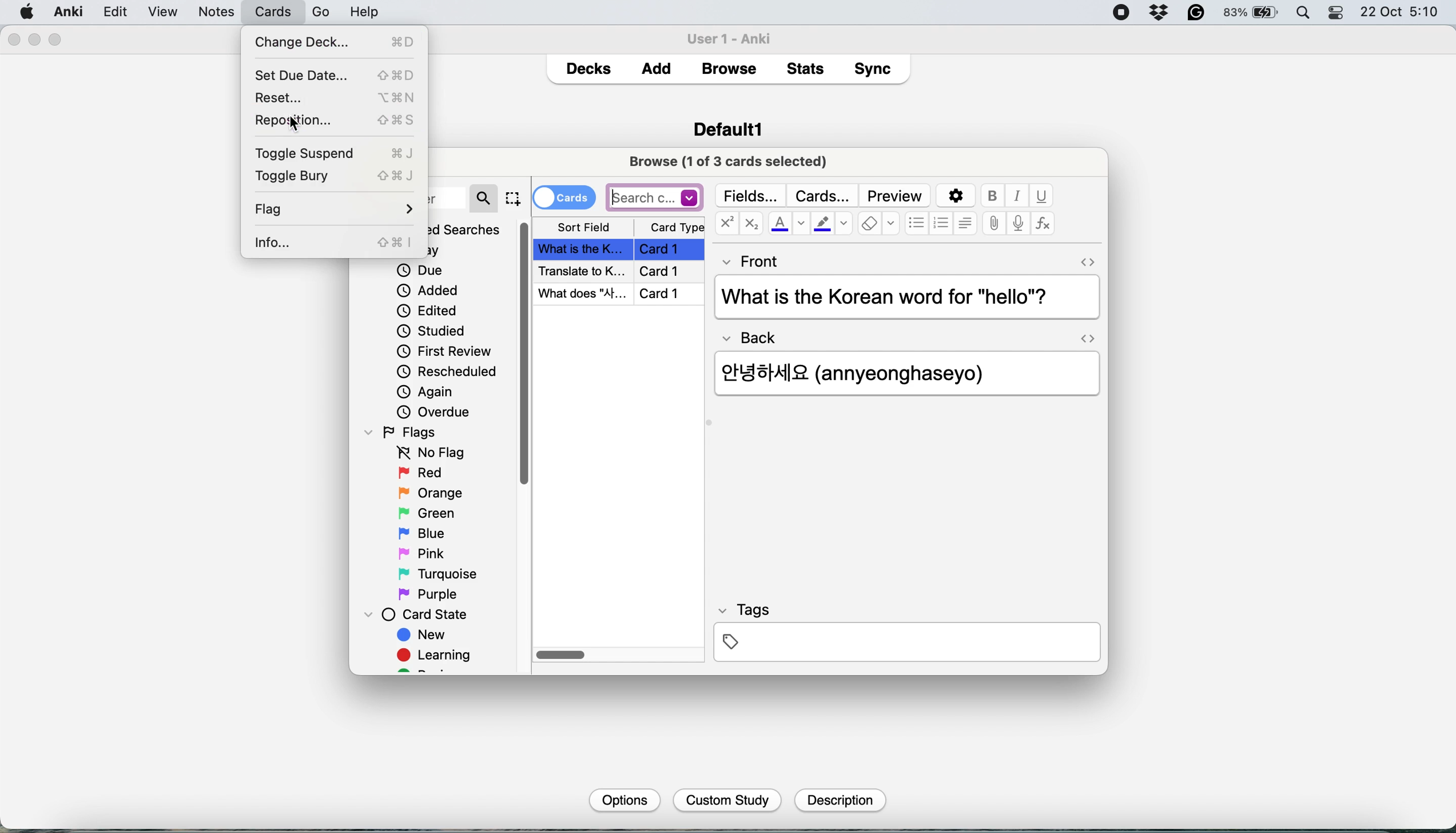 Image resolution: width=1456 pixels, height=833 pixels. Describe the element at coordinates (755, 334) in the screenshot. I see `Back` at that location.